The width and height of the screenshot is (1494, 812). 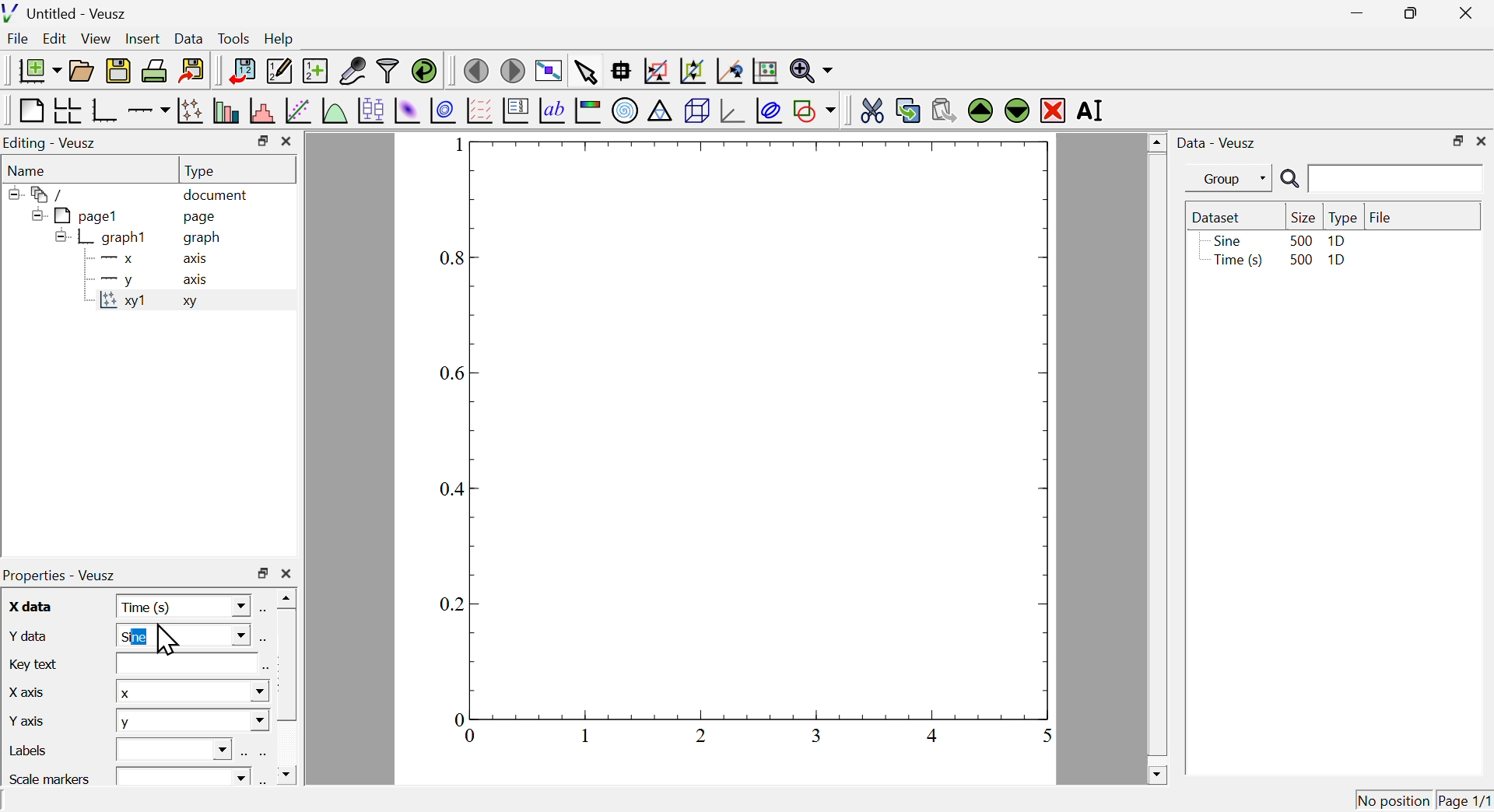 I want to click on zoom functions, so click(x=811, y=71).